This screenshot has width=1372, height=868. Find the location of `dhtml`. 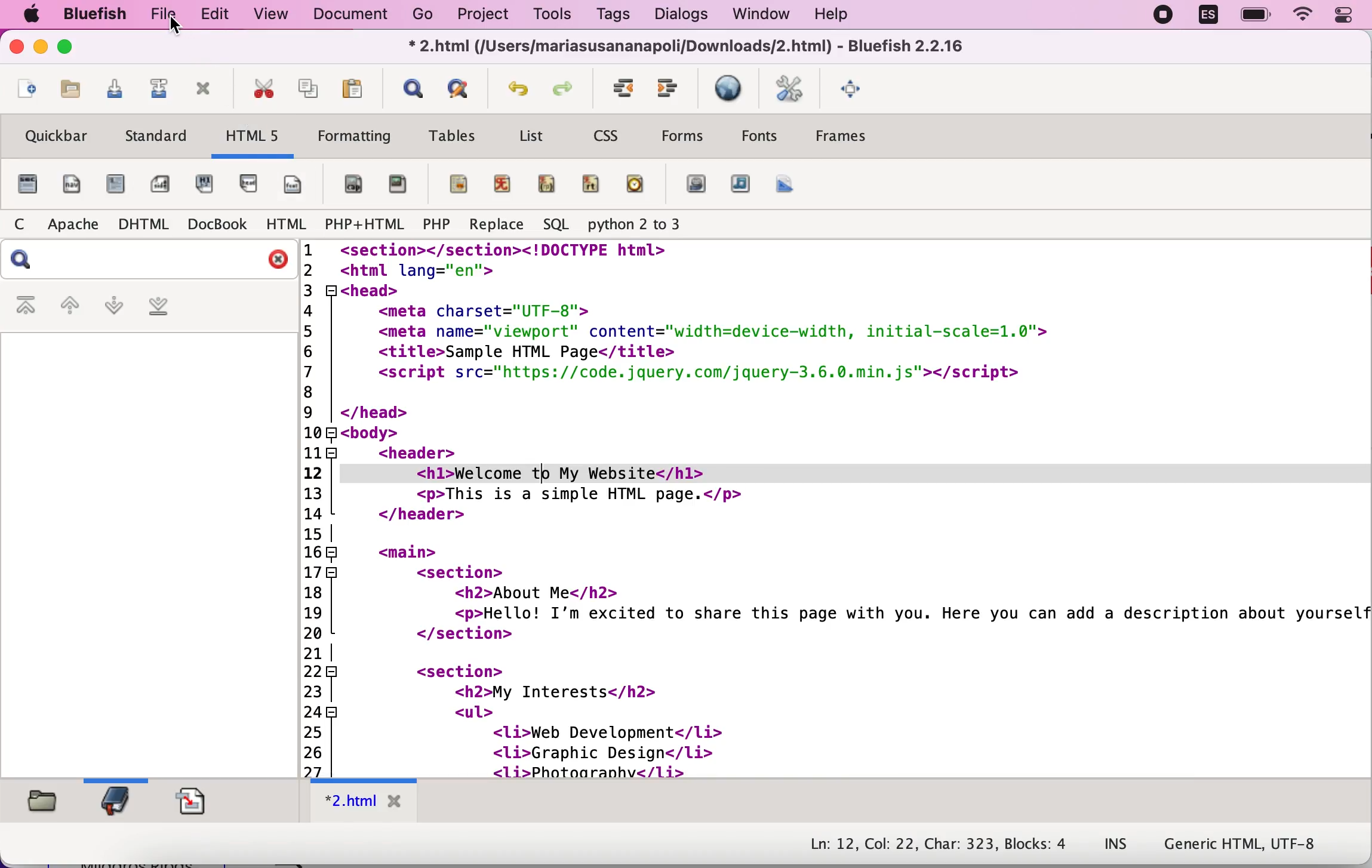

dhtml is located at coordinates (140, 224).